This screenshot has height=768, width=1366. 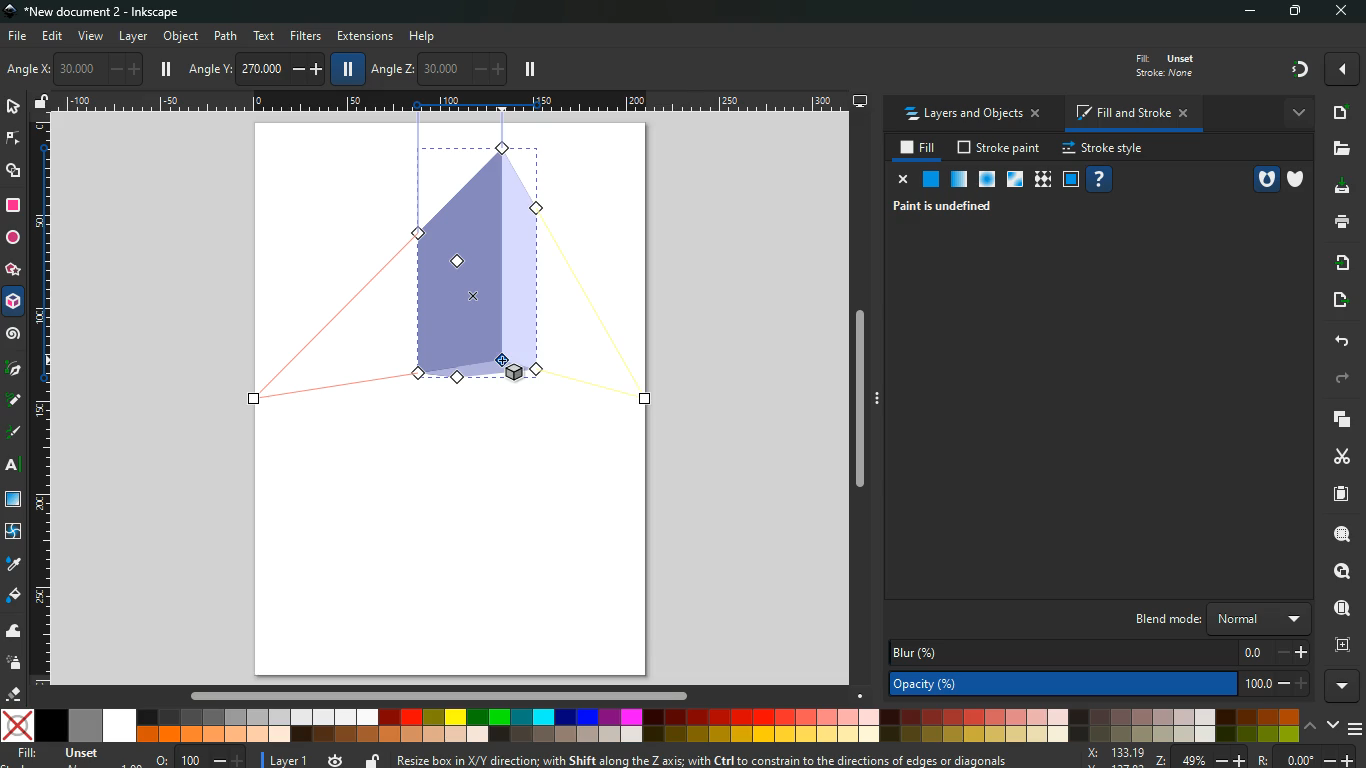 What do you see at coordinates (1334, 726) in the screenshot?
I see `down` at bounding box center [1334, 726].